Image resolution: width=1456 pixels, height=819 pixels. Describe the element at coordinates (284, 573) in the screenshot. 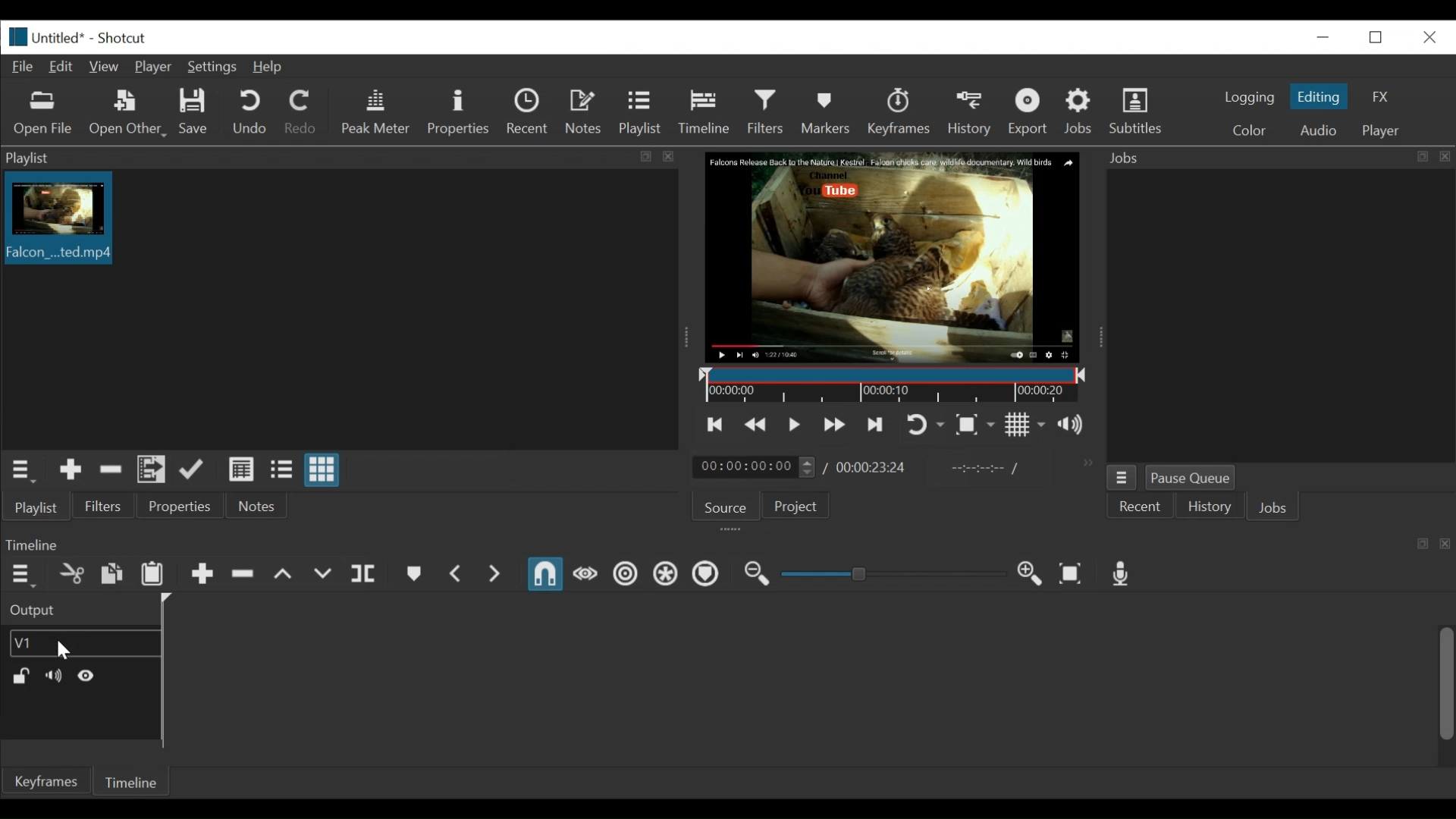

I see `Lift` at that location.